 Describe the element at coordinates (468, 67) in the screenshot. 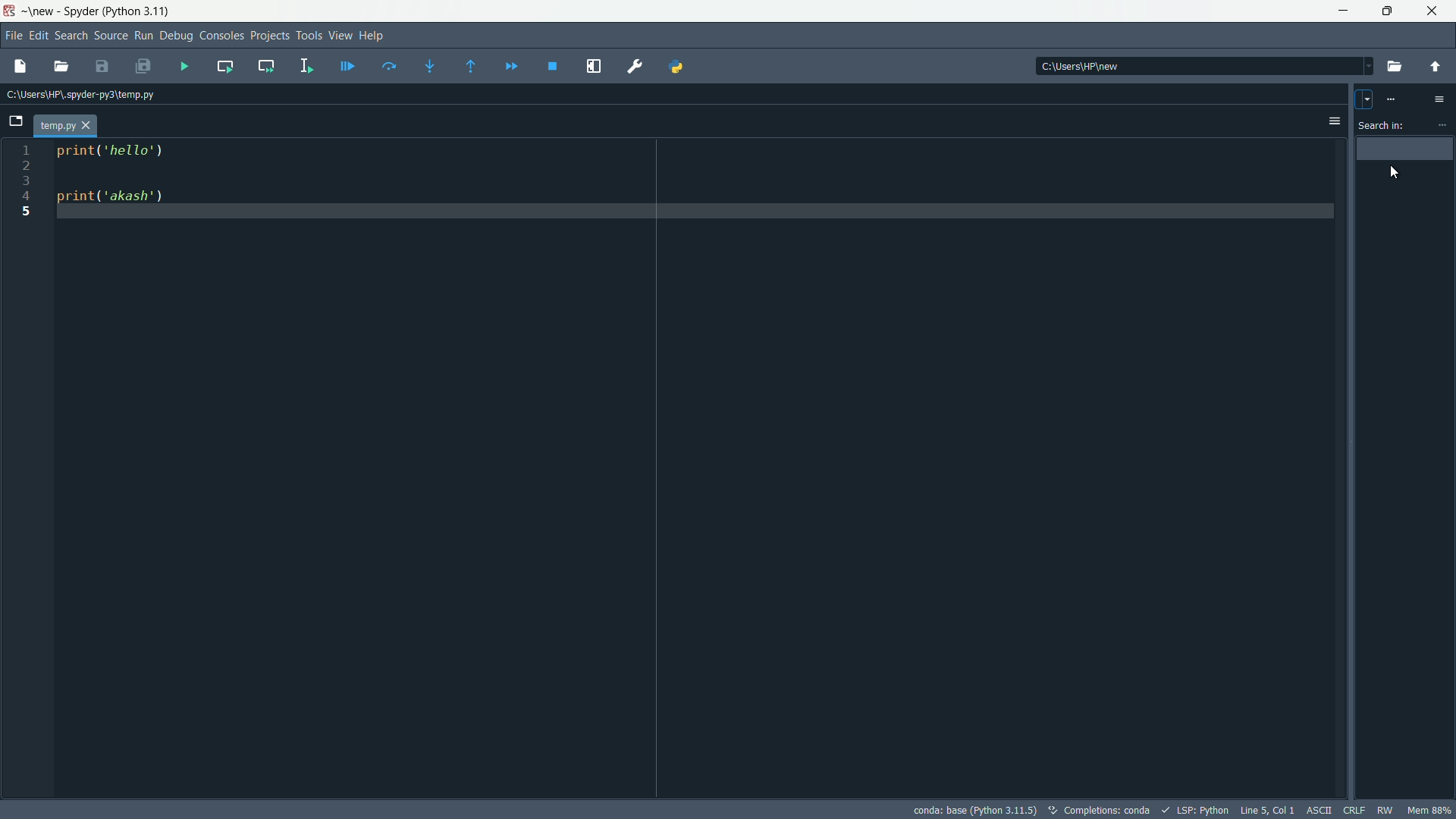

I see `Run until current function` at that location.